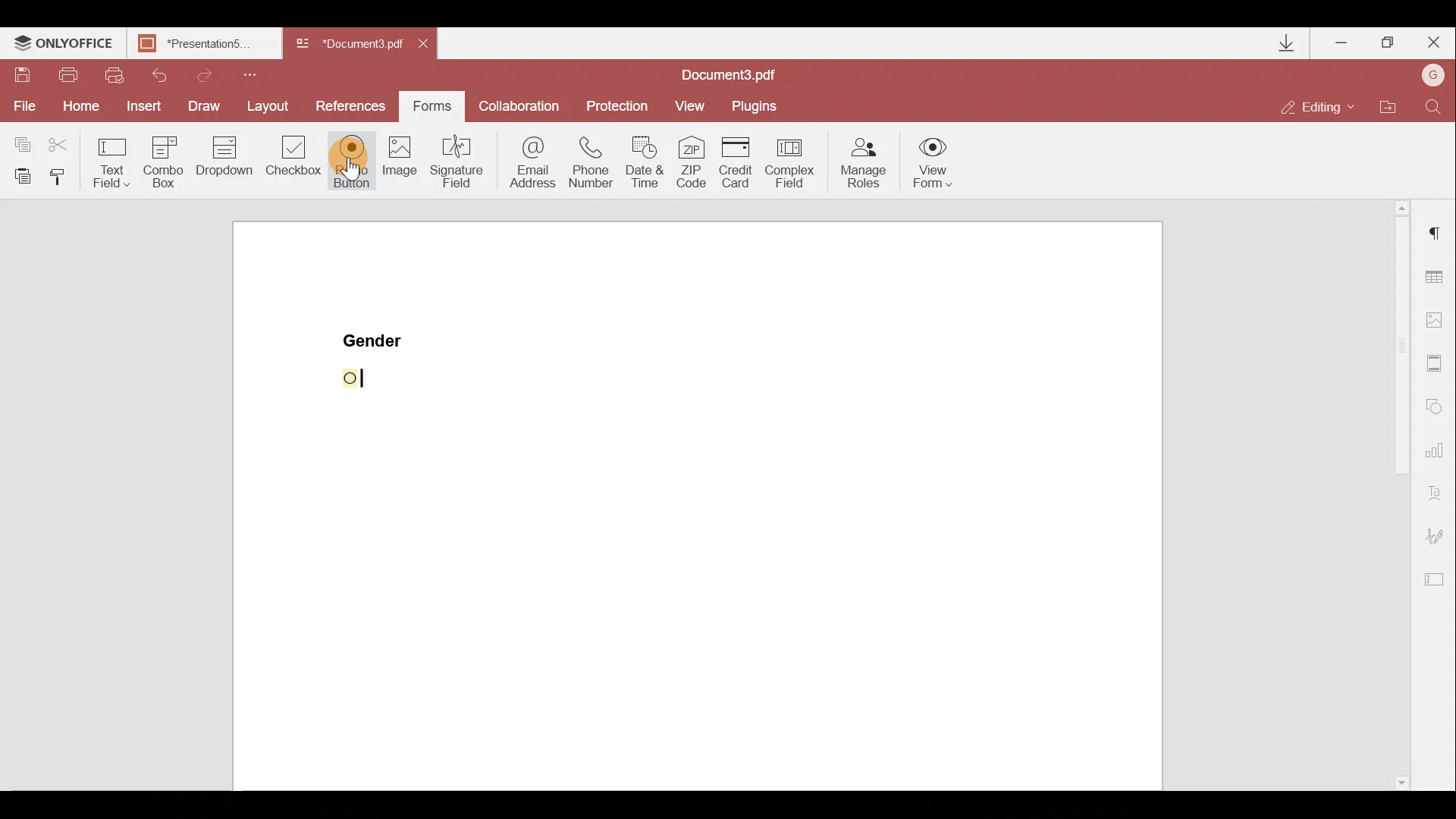 The image size is (1456, 819). Describe the element at coordinates (58, 142) in the screenshot. I see `Cut` at that location.